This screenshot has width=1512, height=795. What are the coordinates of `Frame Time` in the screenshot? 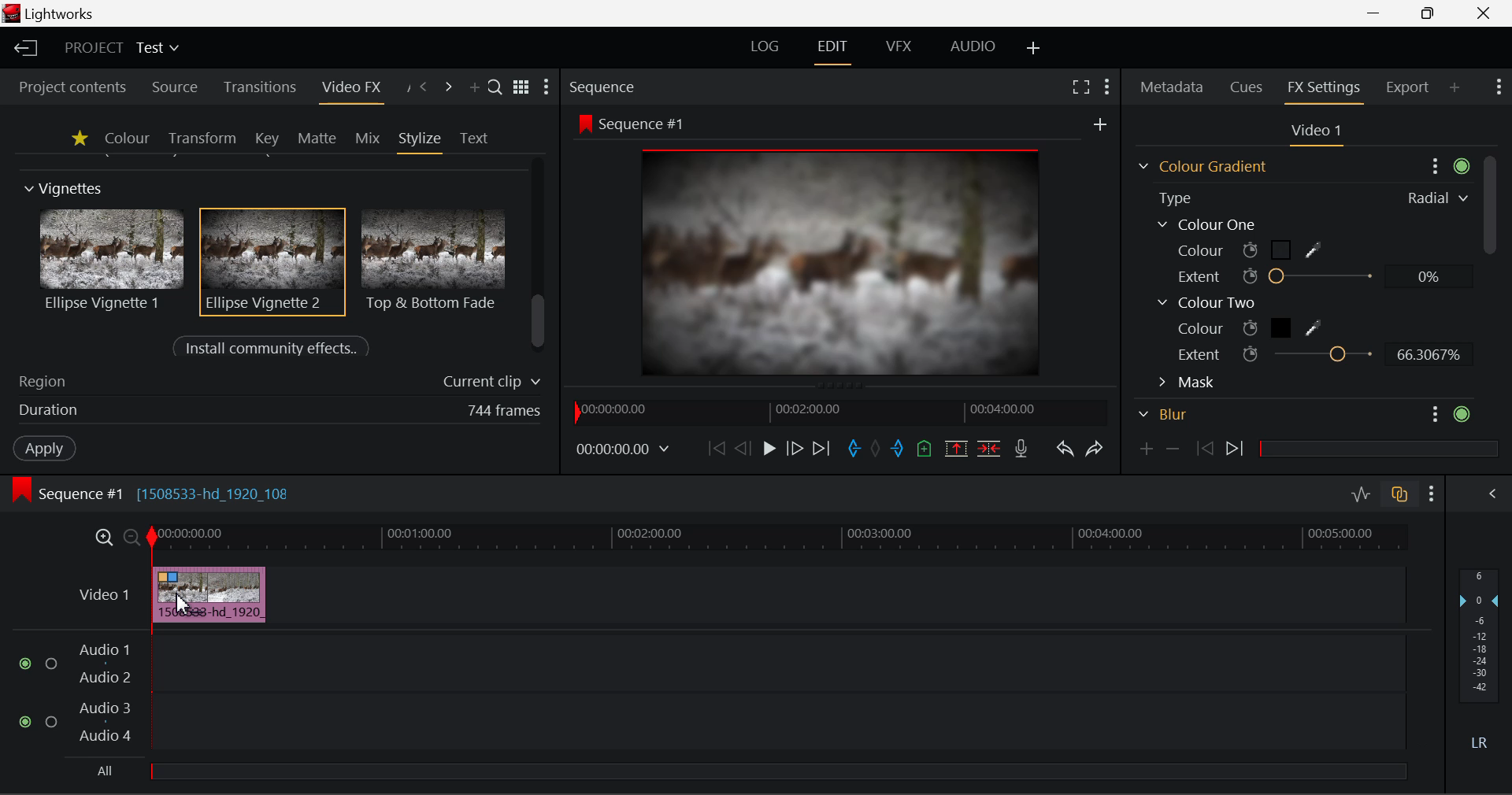 It's located at (624, 448).